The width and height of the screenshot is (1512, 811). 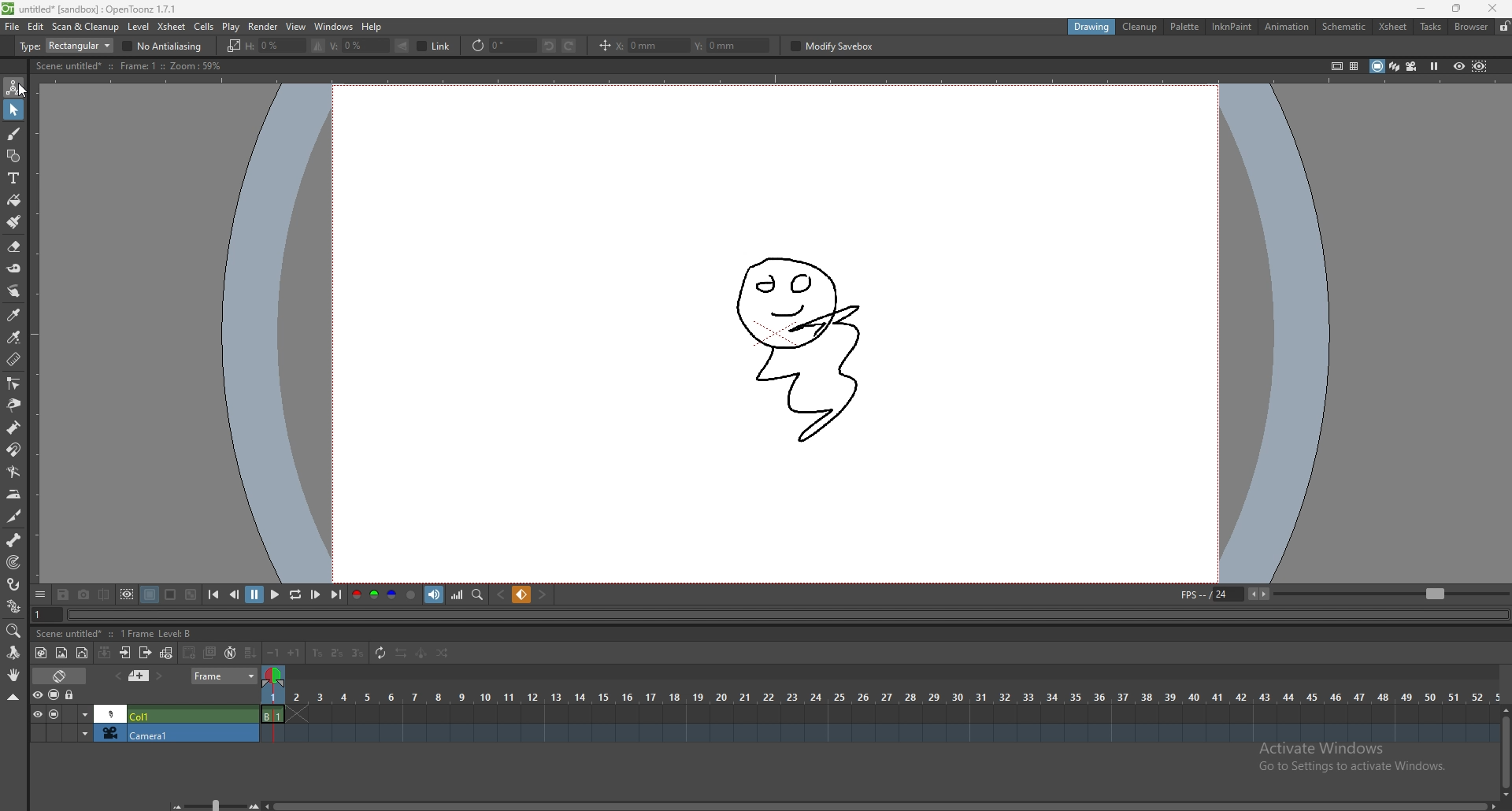 What do you see at coordinates (790, 615) in the screenshot?
I see `animation player` at bounding box center [790, 615].